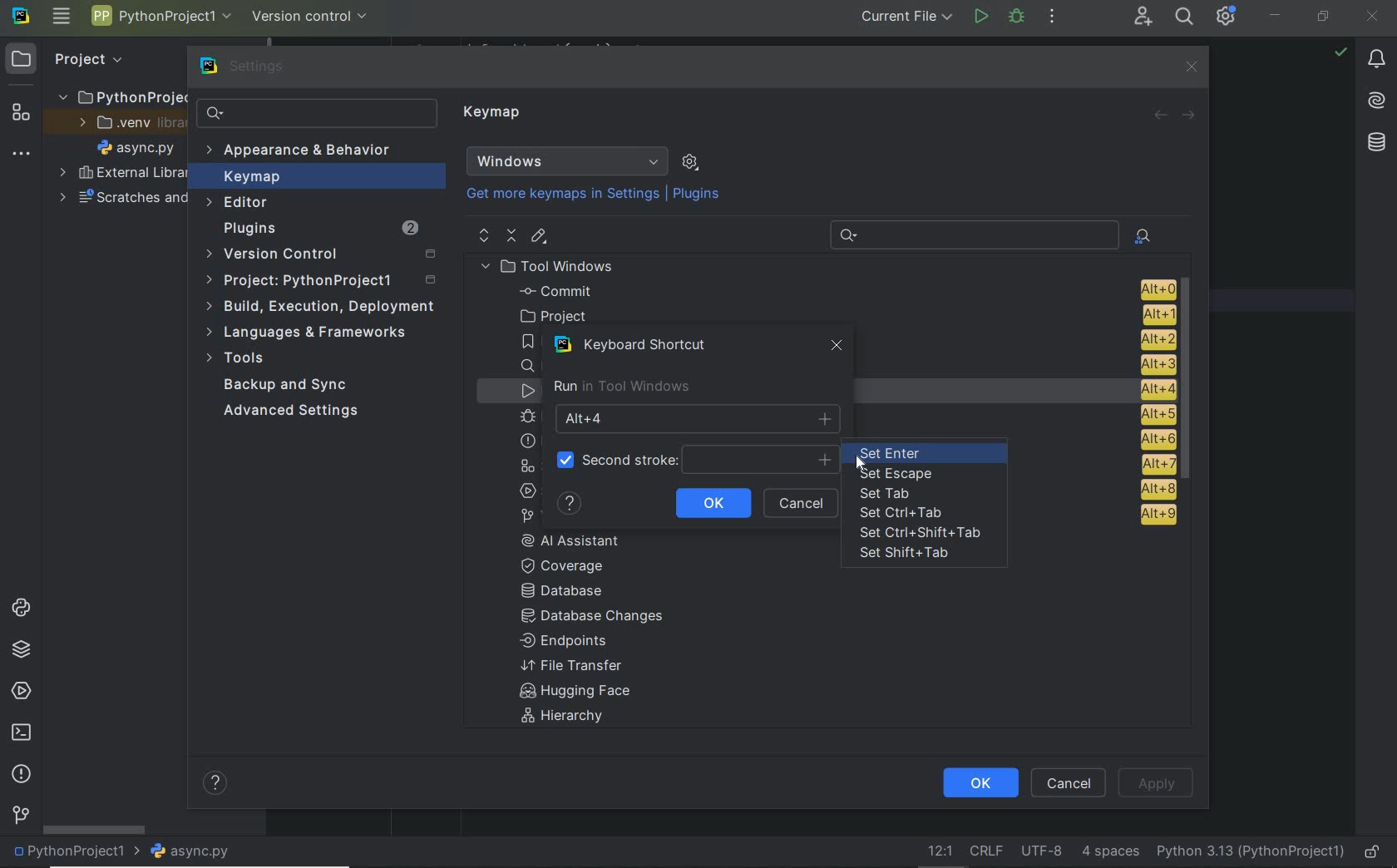 This screenshot has width=1397, height=868. What do you see at coordinates (1324, 17) in the screenshot?
I see `restore down` at bounding box center [1324, 17].